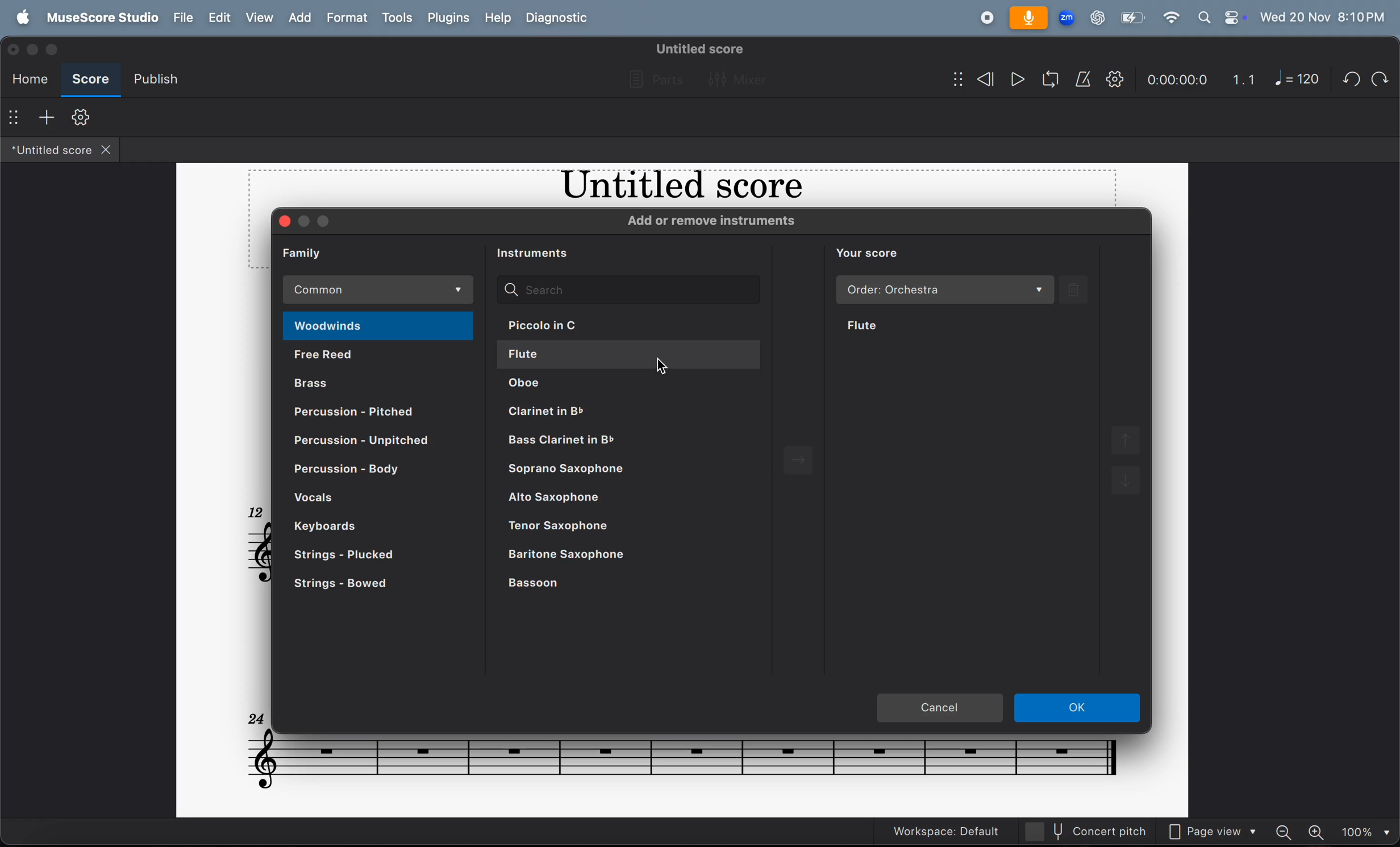 The height and width of the screenshot is (847, 1400). What do you see at coordinates (378, 290) in the screenshot?
I see `common` at bounding box center [378, 290].